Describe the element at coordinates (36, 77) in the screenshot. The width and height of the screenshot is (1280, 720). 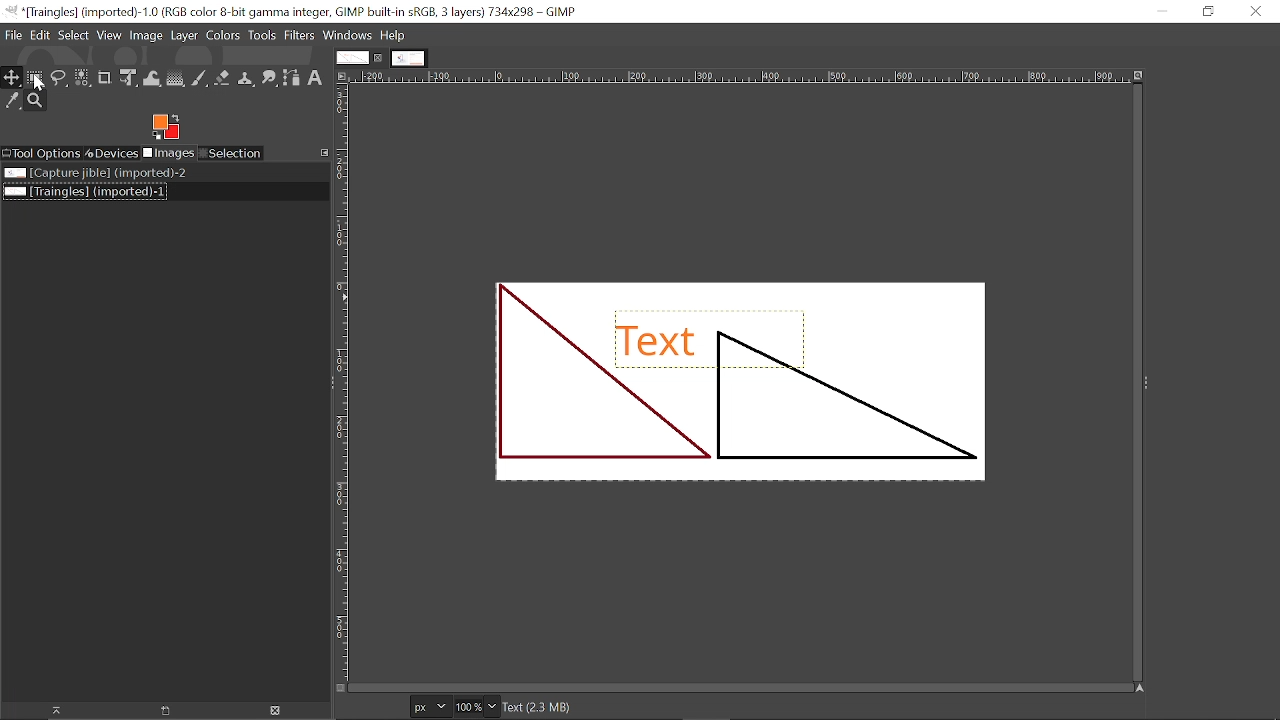
I see `Rectangular select` at that location.